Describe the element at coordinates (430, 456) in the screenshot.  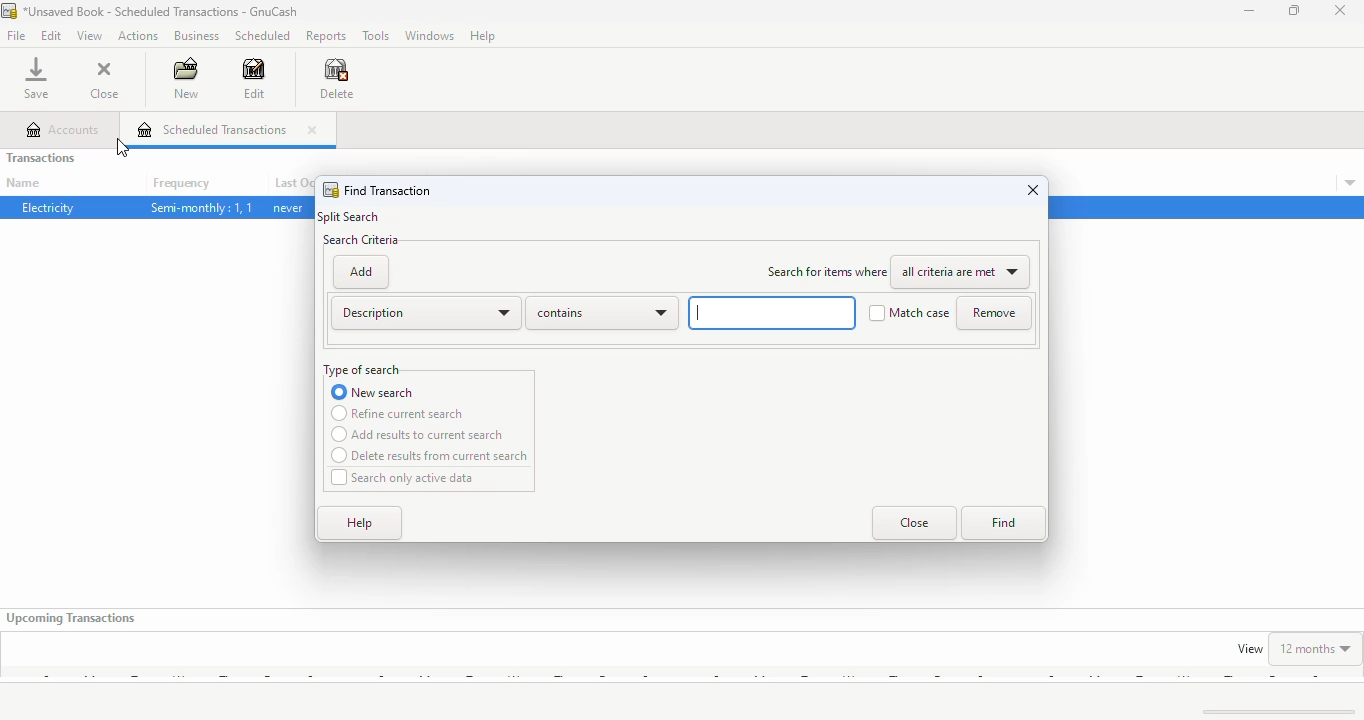
I see `delete results from current search` at that location.